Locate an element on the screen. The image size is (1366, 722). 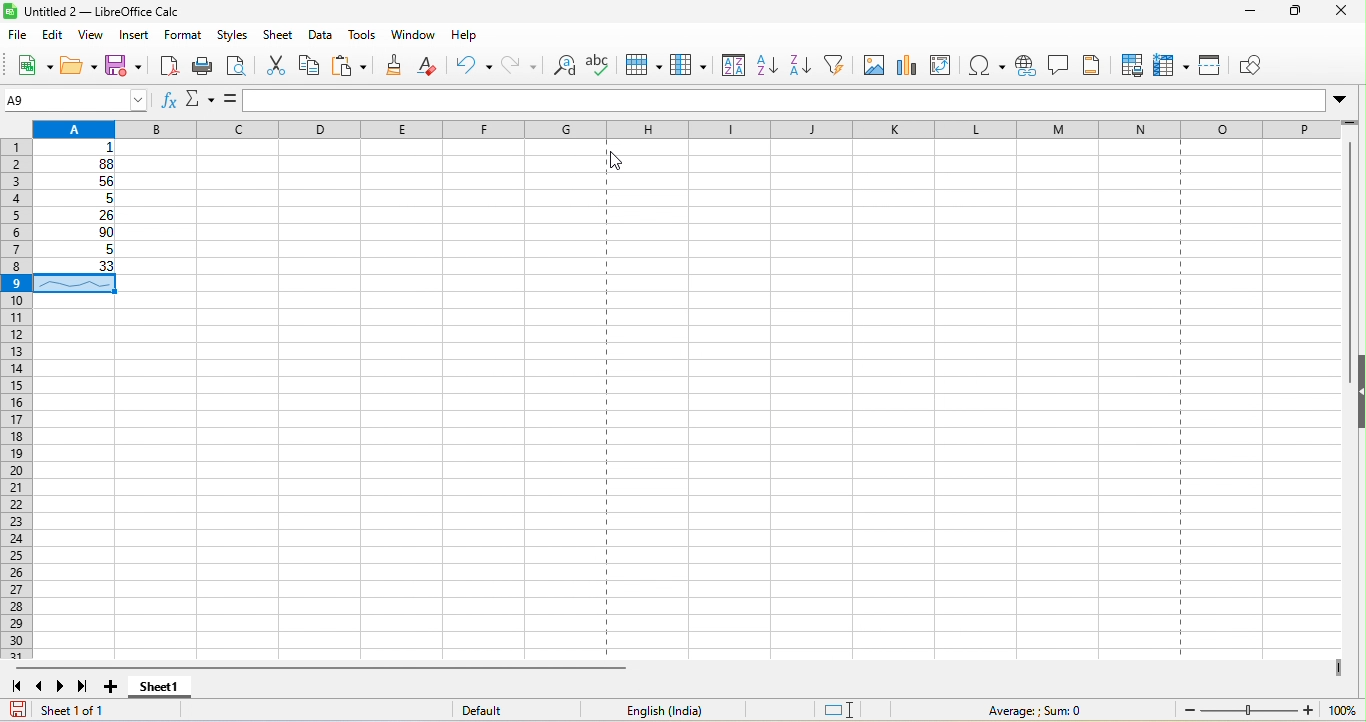
add sheet is located at coordinates (113, 687).